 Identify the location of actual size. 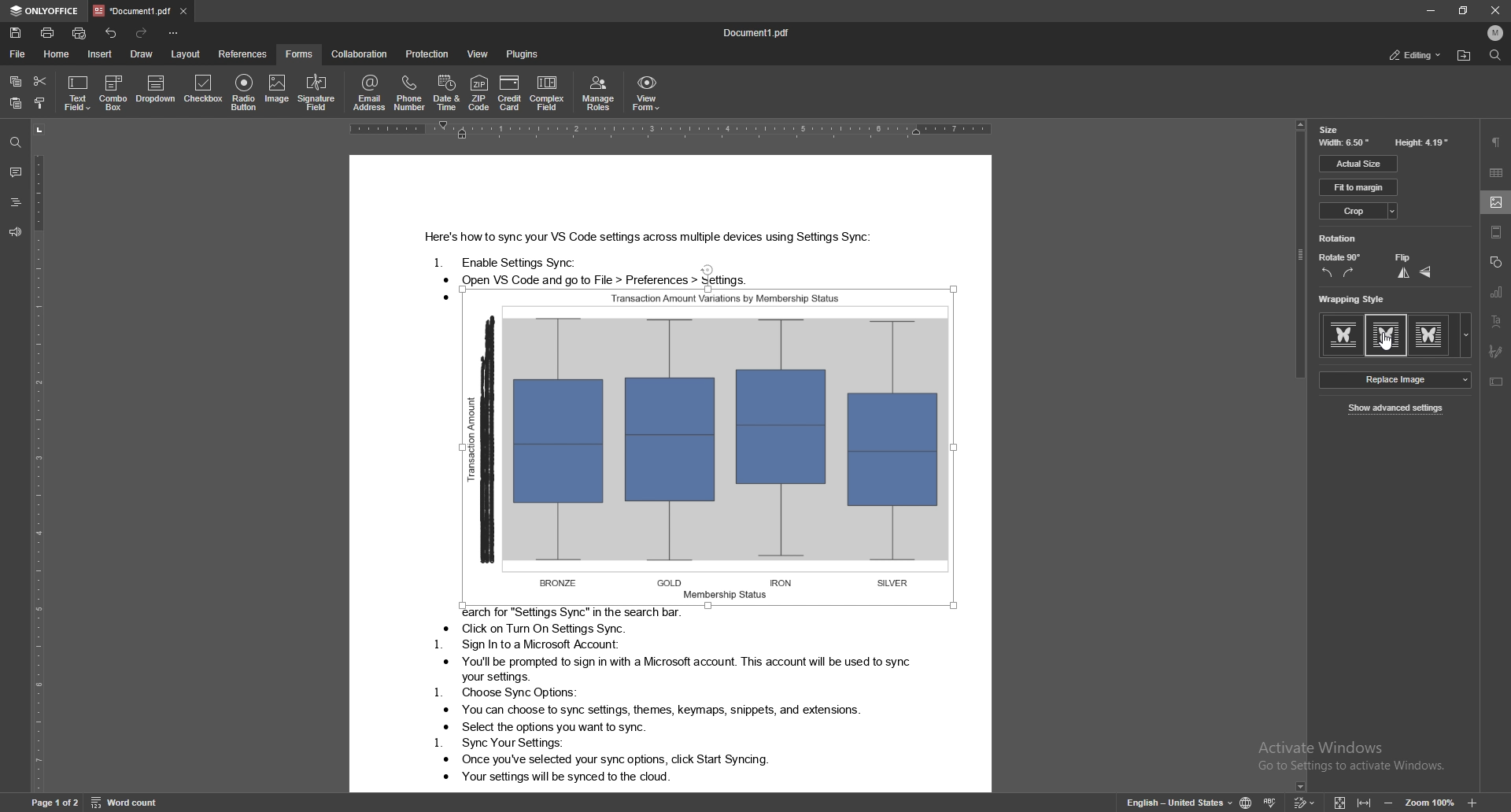
(1358, 164).